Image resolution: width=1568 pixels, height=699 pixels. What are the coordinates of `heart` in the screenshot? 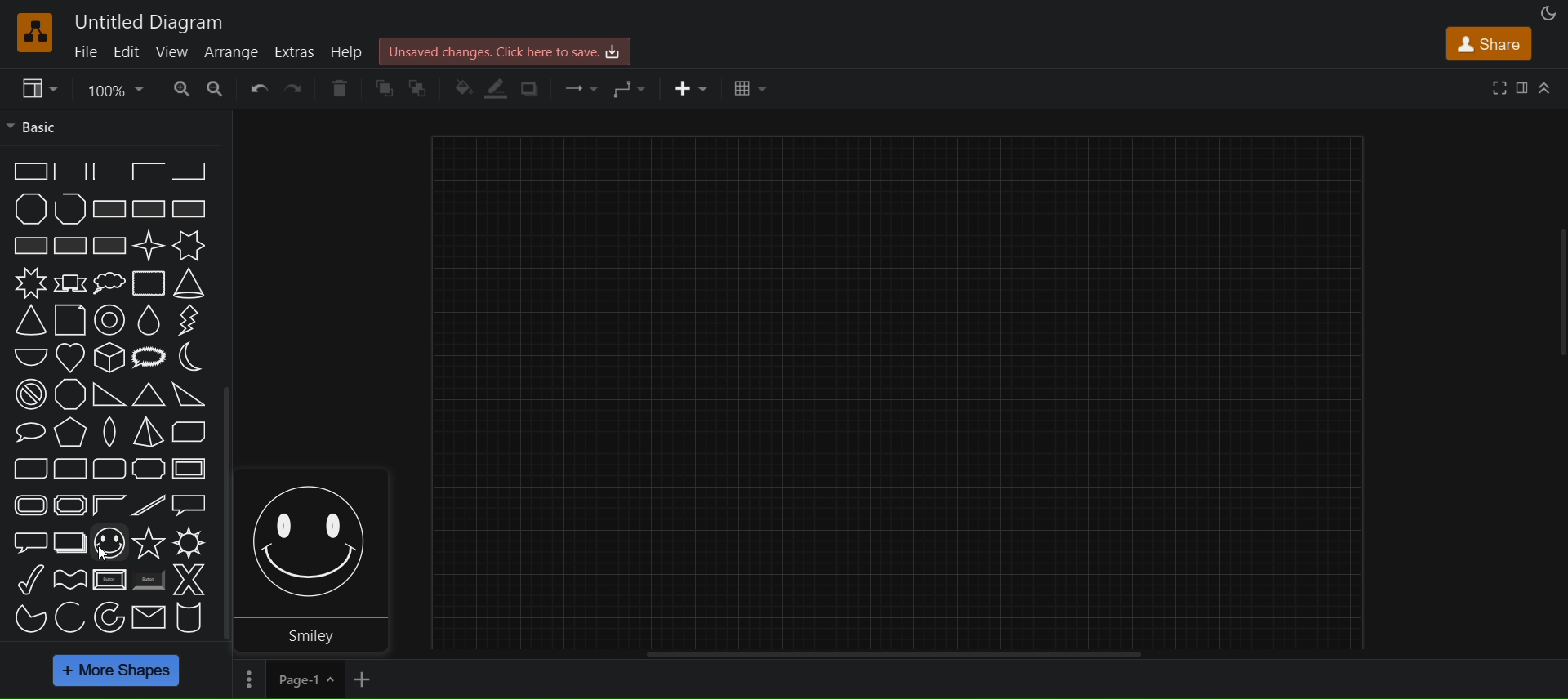 It's located at (72, 358).